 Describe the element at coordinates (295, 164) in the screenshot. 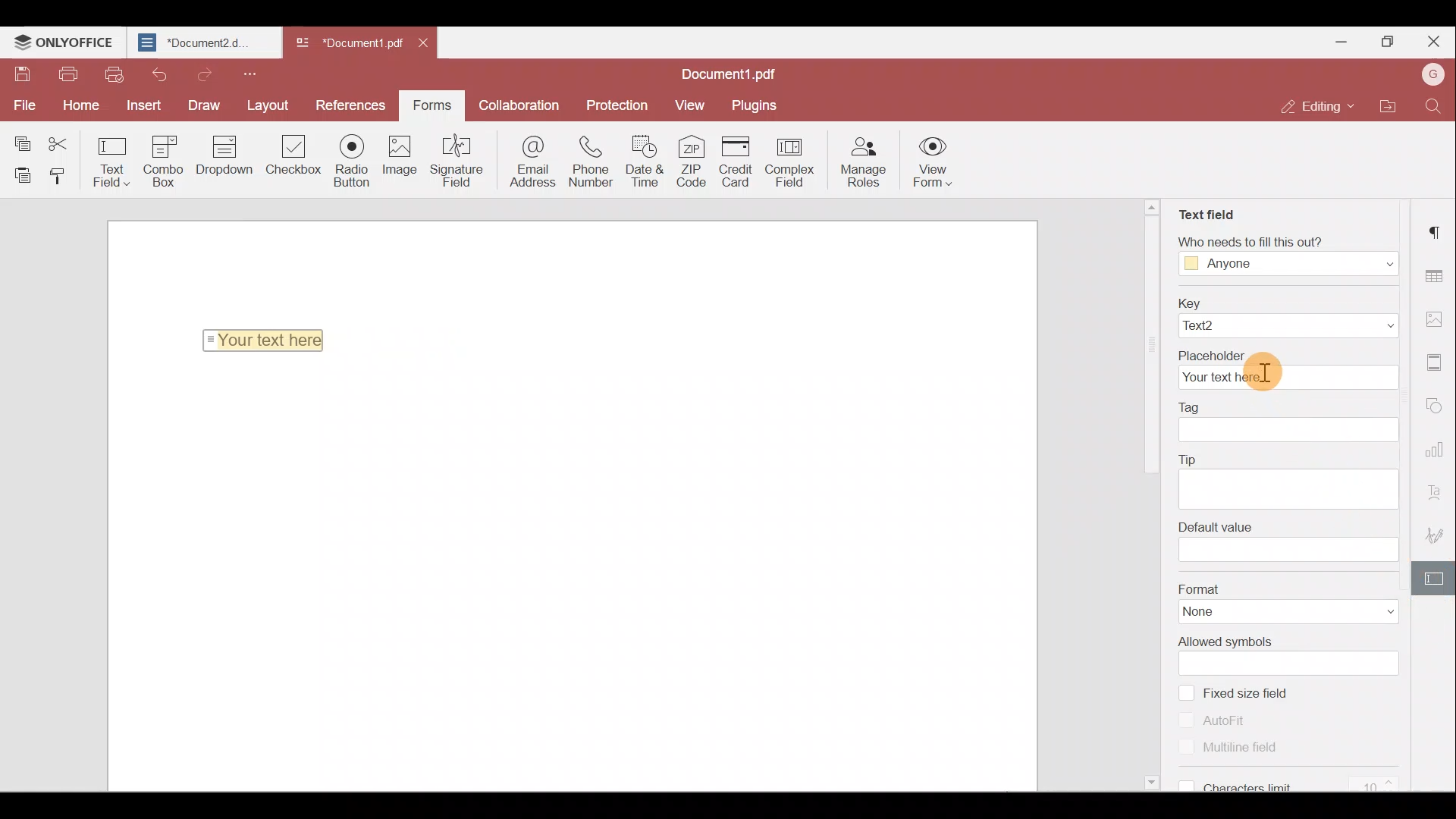

I see `Check box` at that location.